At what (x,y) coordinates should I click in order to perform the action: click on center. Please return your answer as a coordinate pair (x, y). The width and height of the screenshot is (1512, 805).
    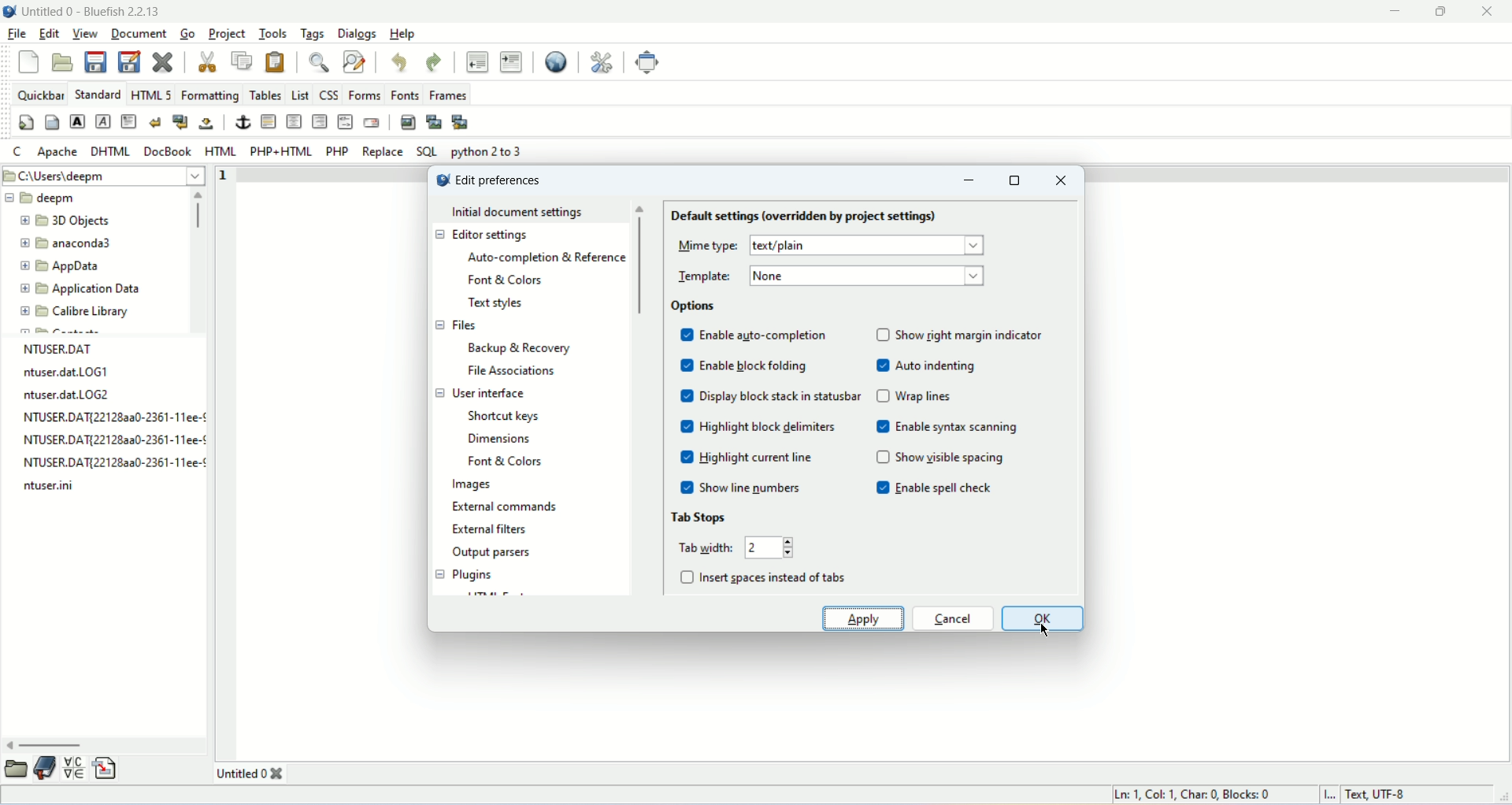
    Looking at the image, I should click on (293, 121).